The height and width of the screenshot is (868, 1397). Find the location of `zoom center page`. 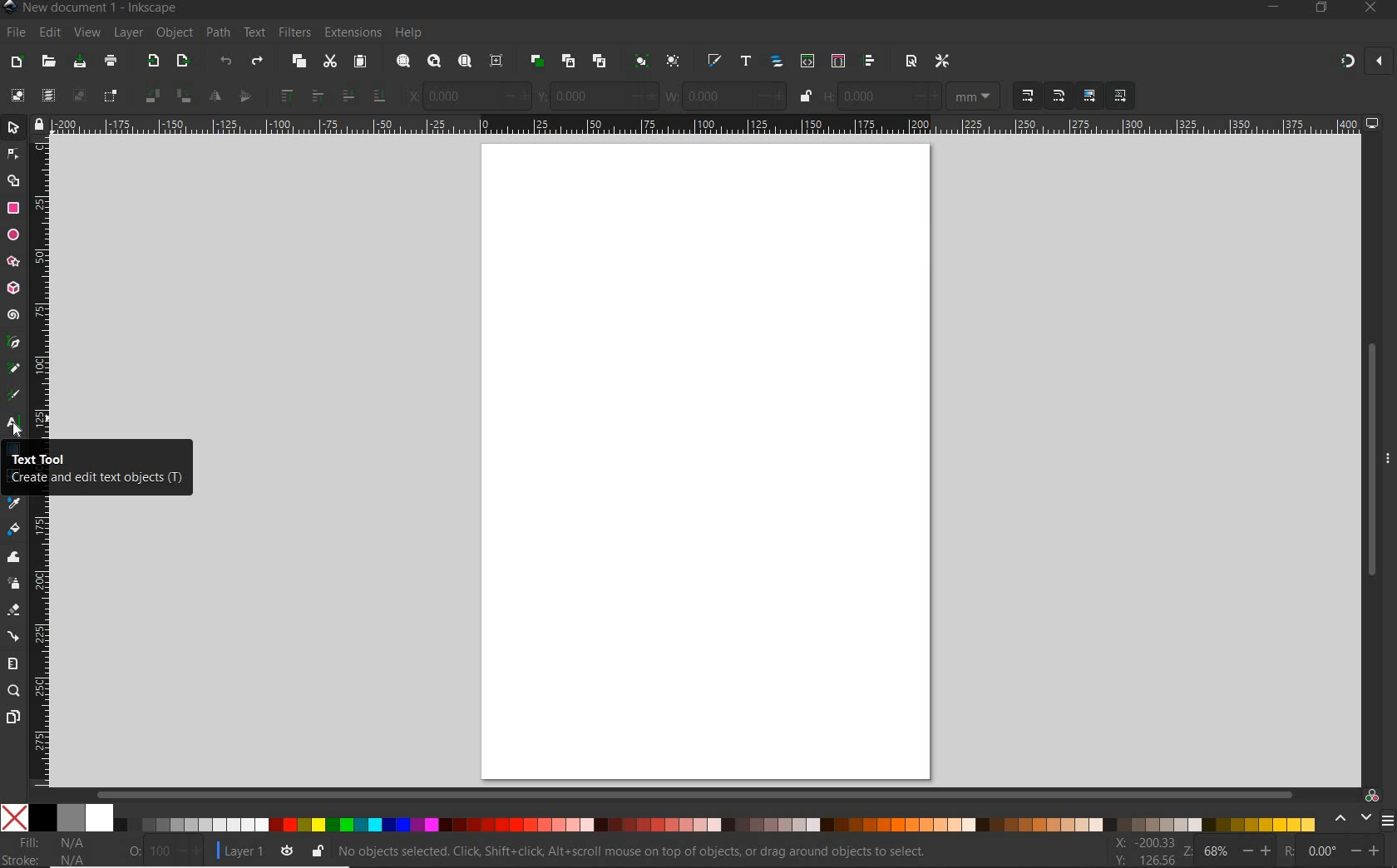

zoom center page is located at coordinates (497, 61).